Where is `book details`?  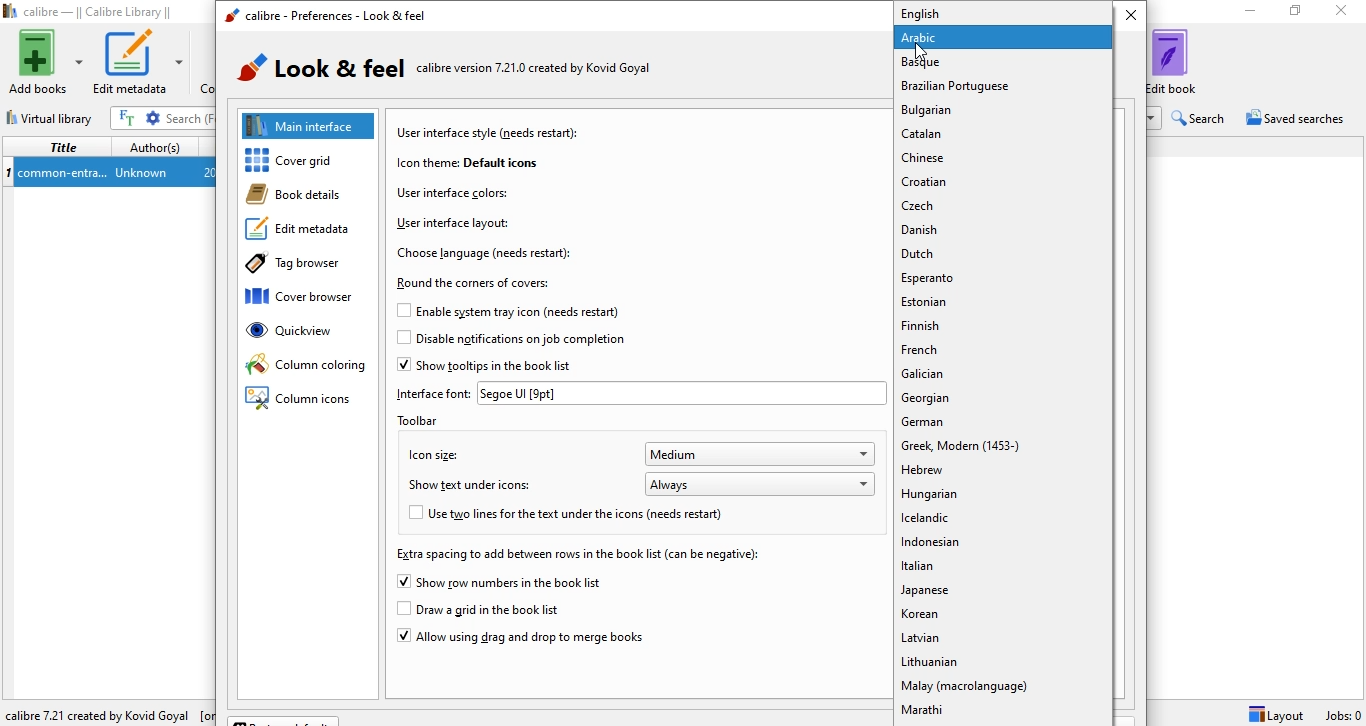
book details is located at coordinates (303, 195).